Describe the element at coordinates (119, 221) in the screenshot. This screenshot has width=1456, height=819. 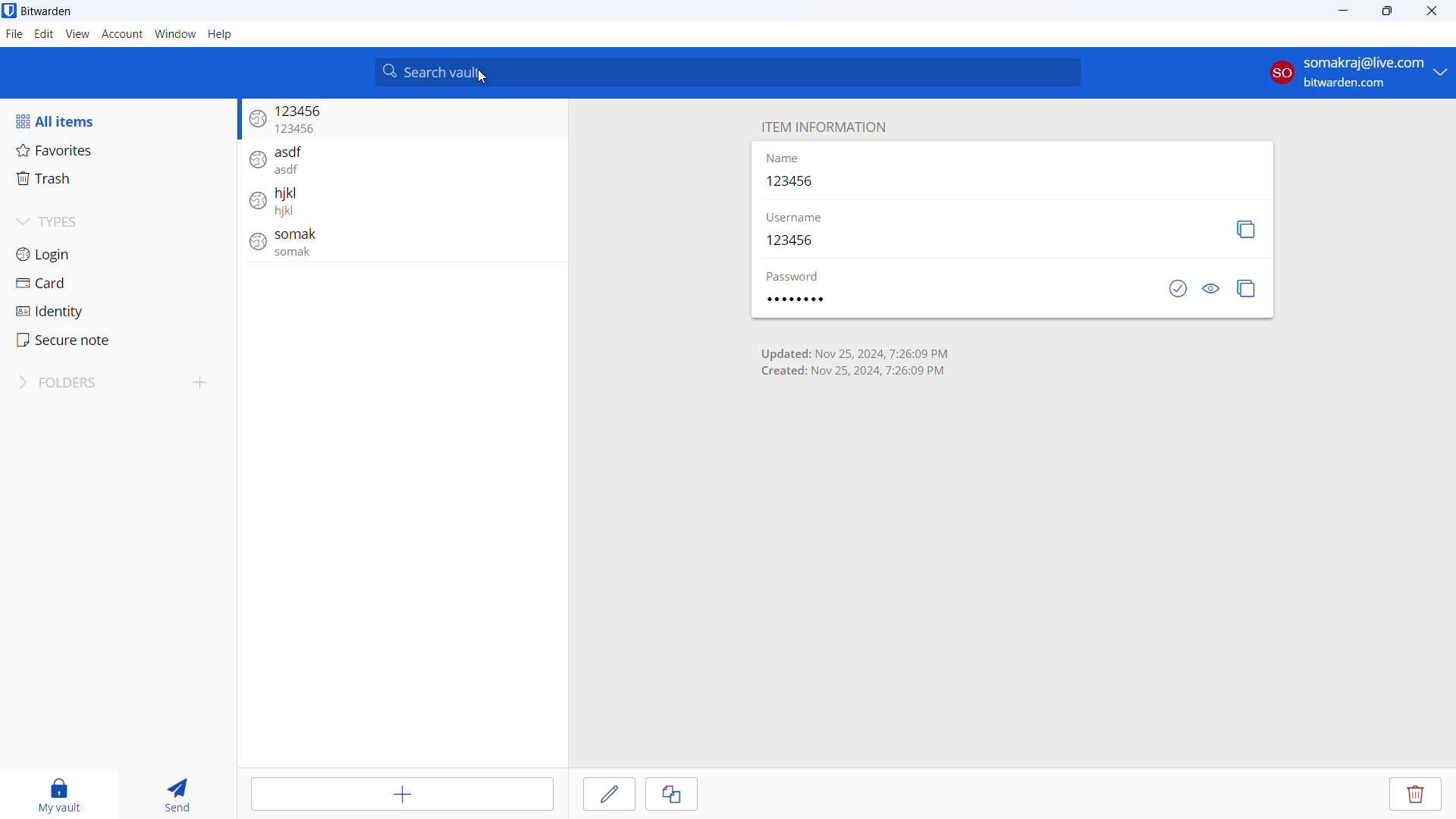
I see `types` at that location.